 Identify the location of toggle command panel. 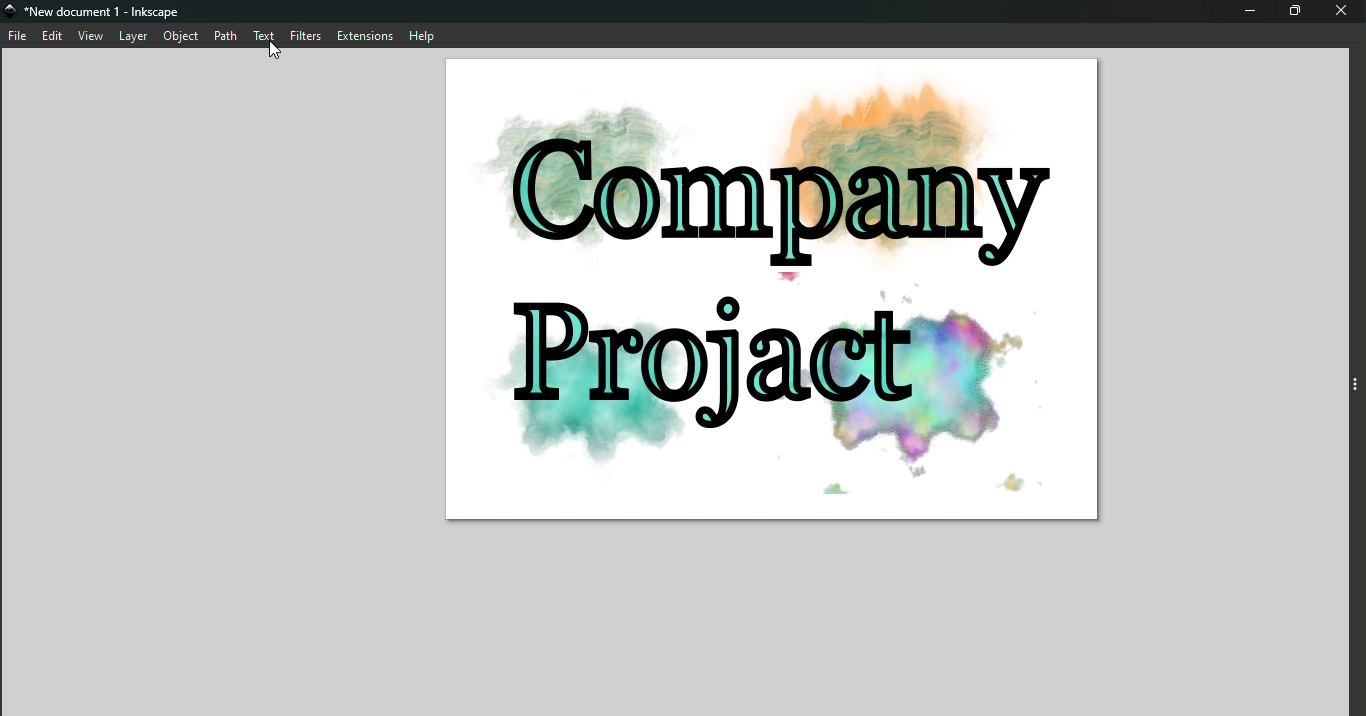
(1354, 387).